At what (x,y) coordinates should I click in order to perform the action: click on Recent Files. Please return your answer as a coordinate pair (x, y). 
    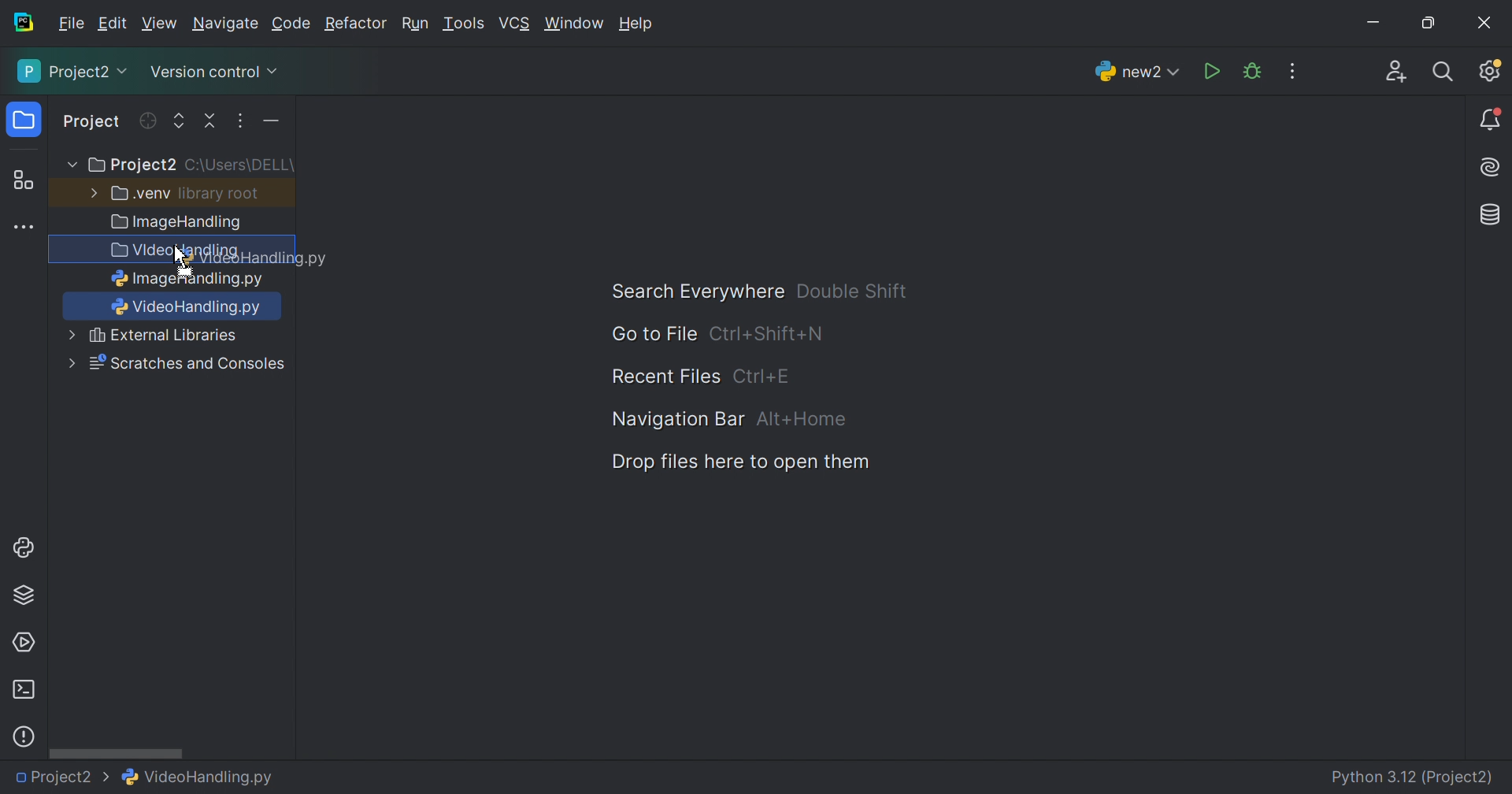
    Looking at the image, I should click on (665, 377).